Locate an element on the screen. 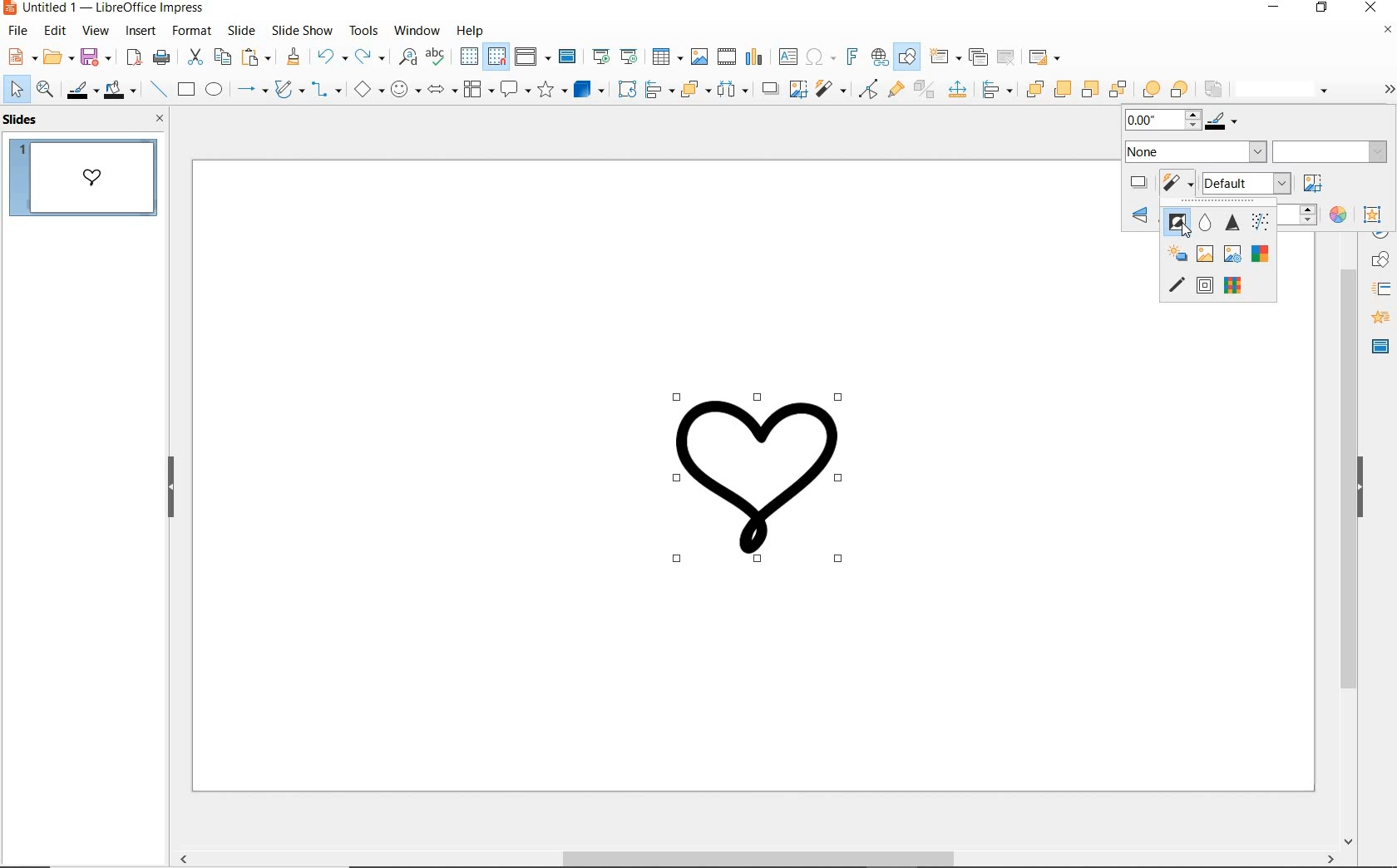  redo is located at coordinates (369, 57).